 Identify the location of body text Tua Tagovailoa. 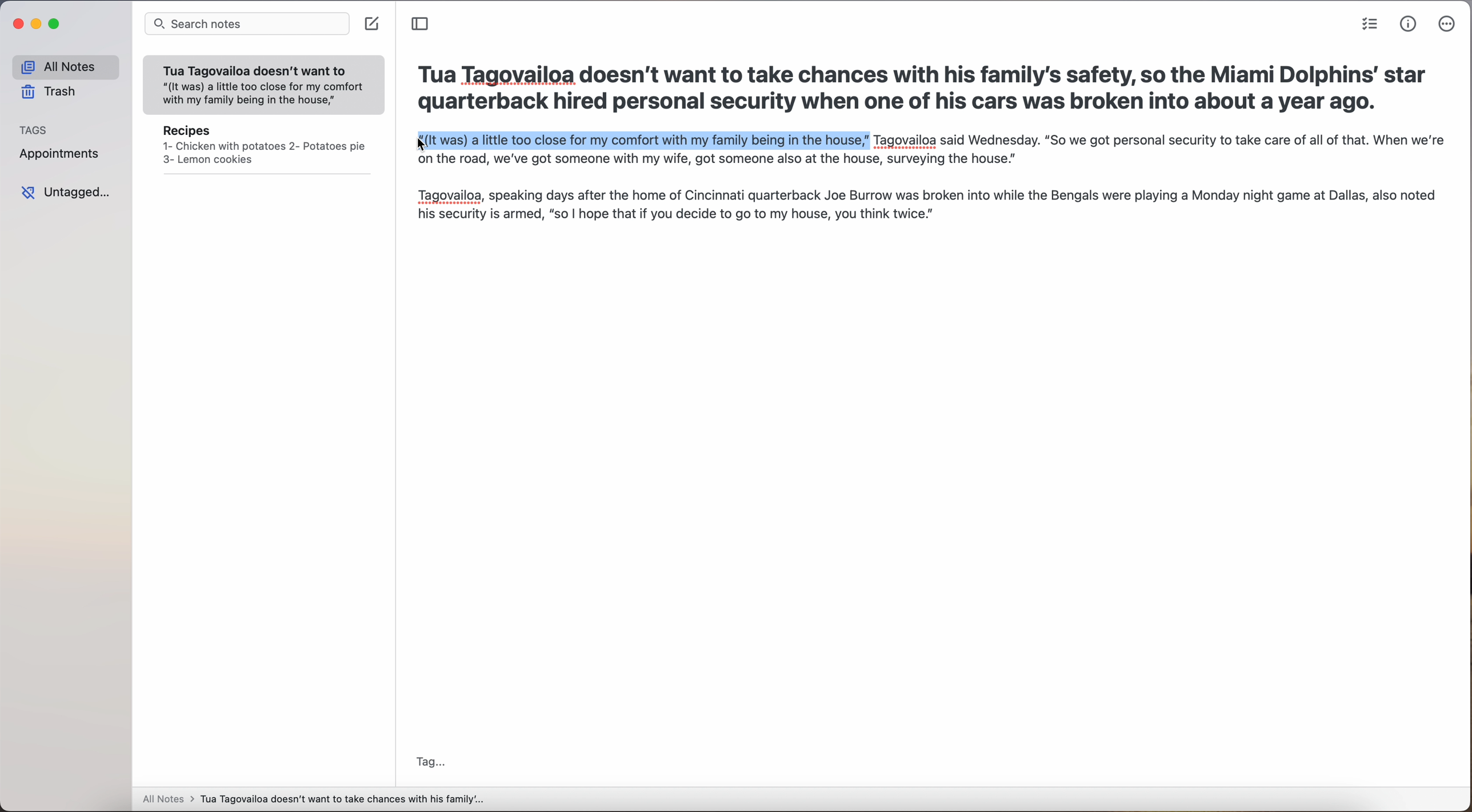
(927, 193).